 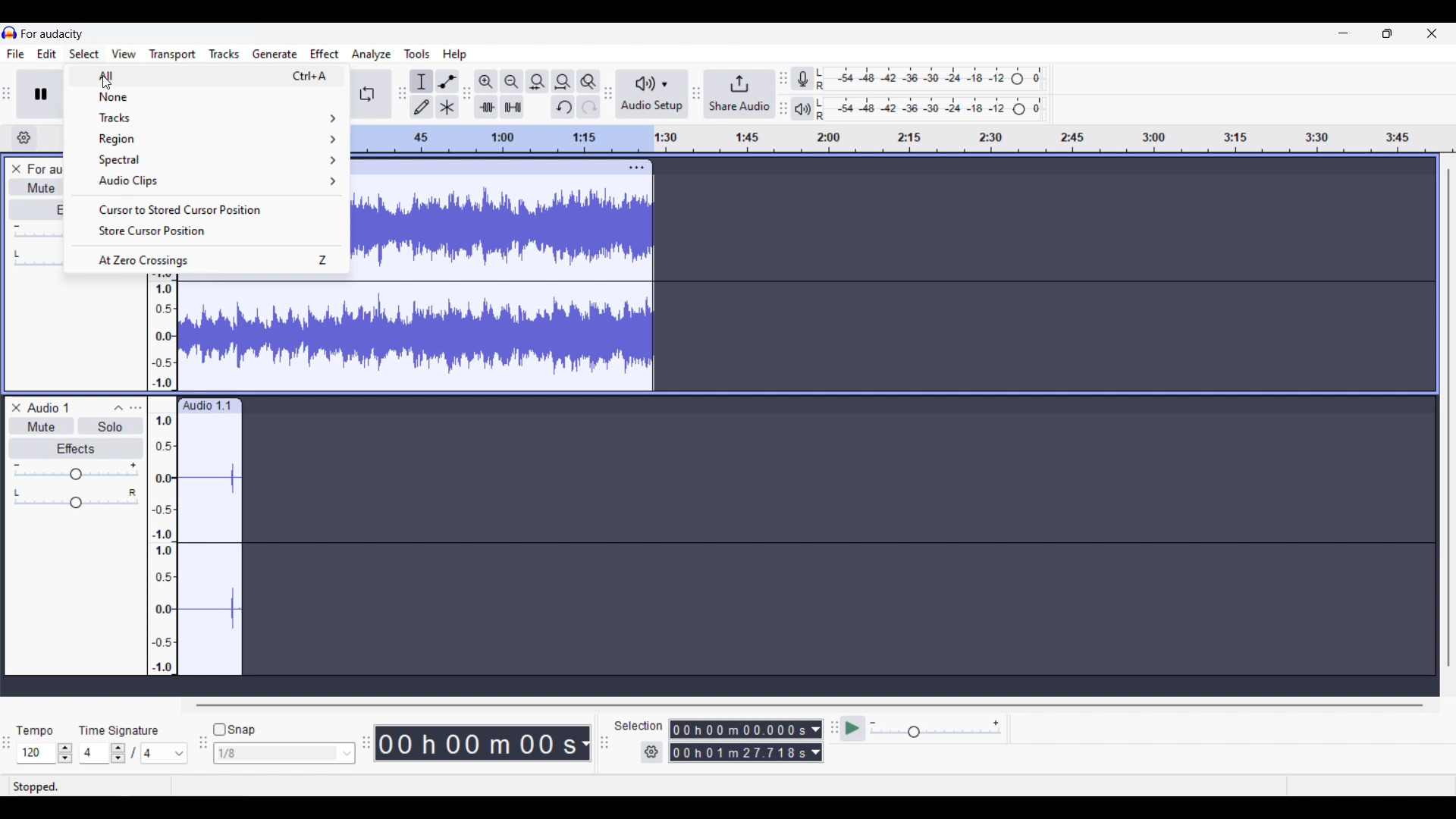 I want to click on Track name, so click(x=42, y=170).